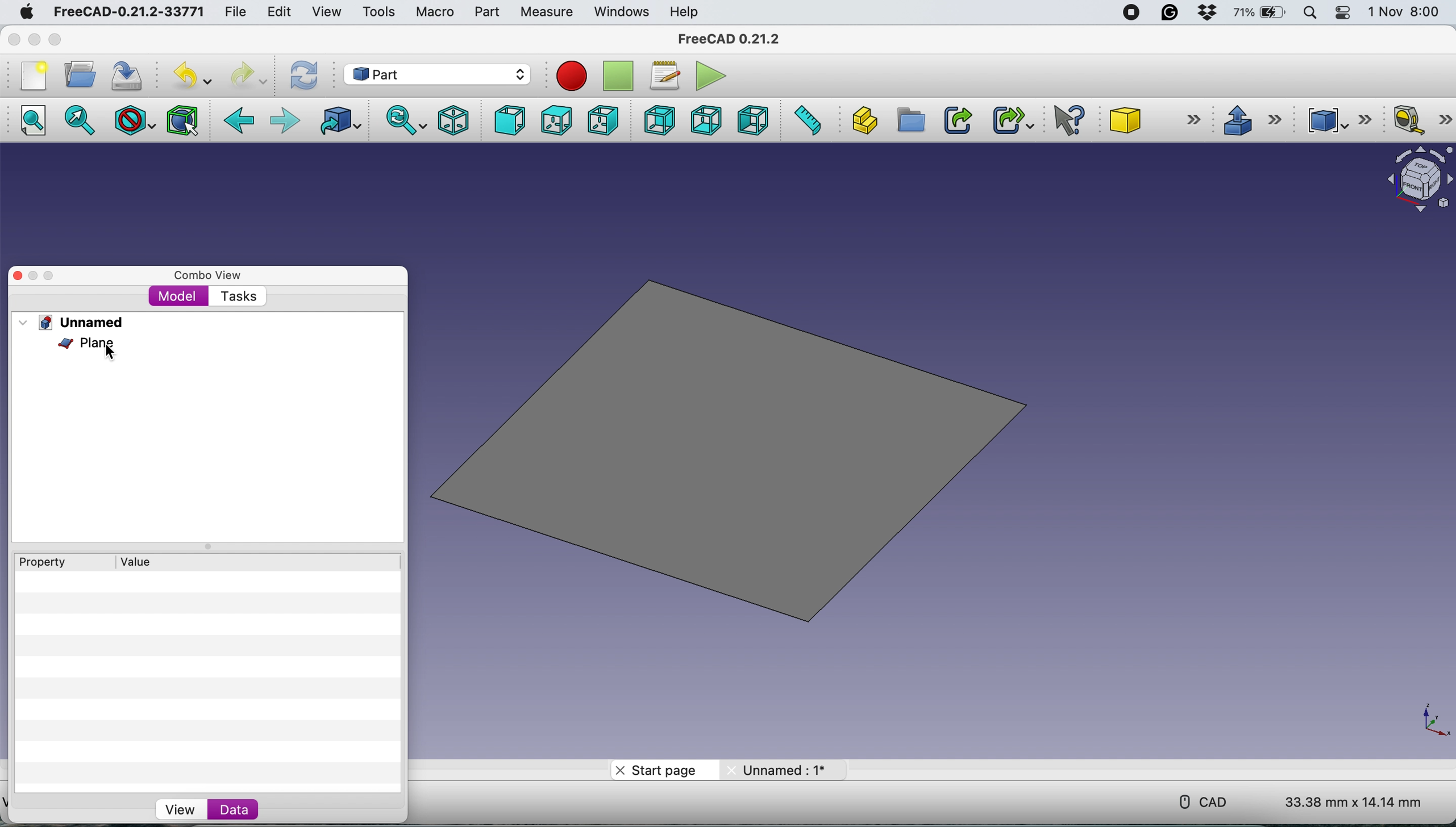 The image size is (1456, 827). I want to click on cube, so click(1154, 122).